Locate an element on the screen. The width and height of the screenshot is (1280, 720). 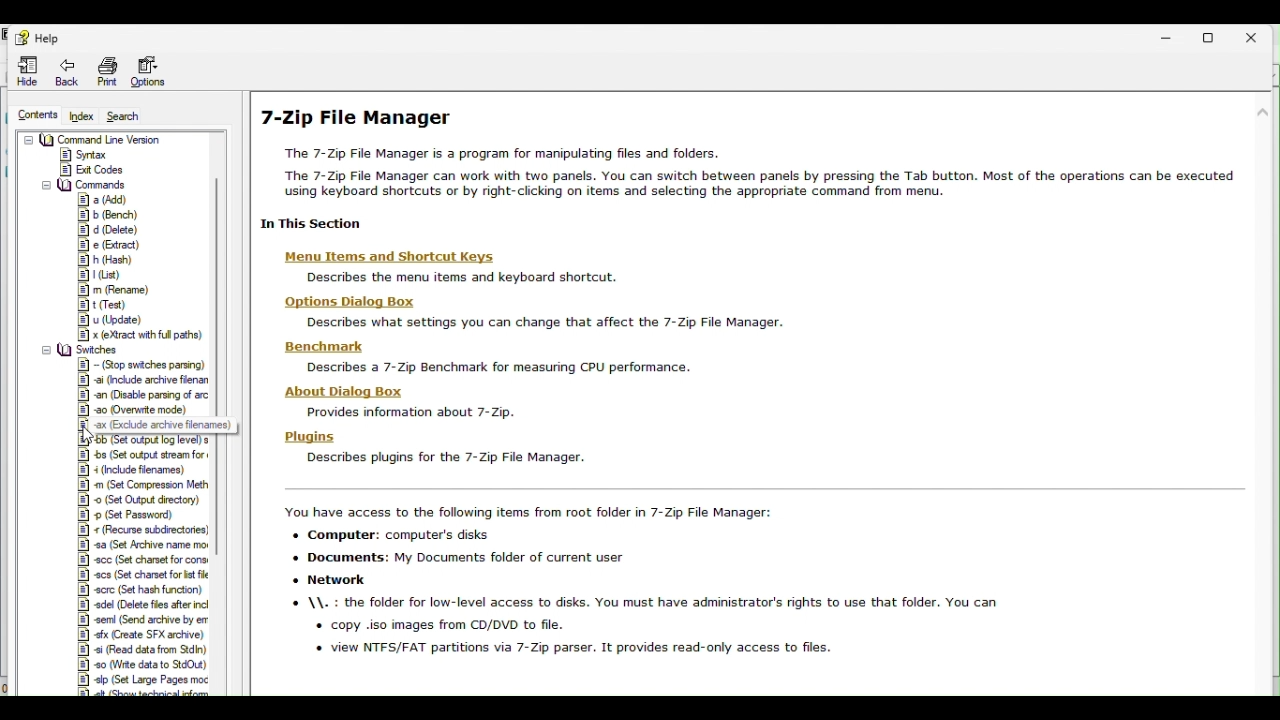
8] t (Test) is located at coordinates (105, 304).